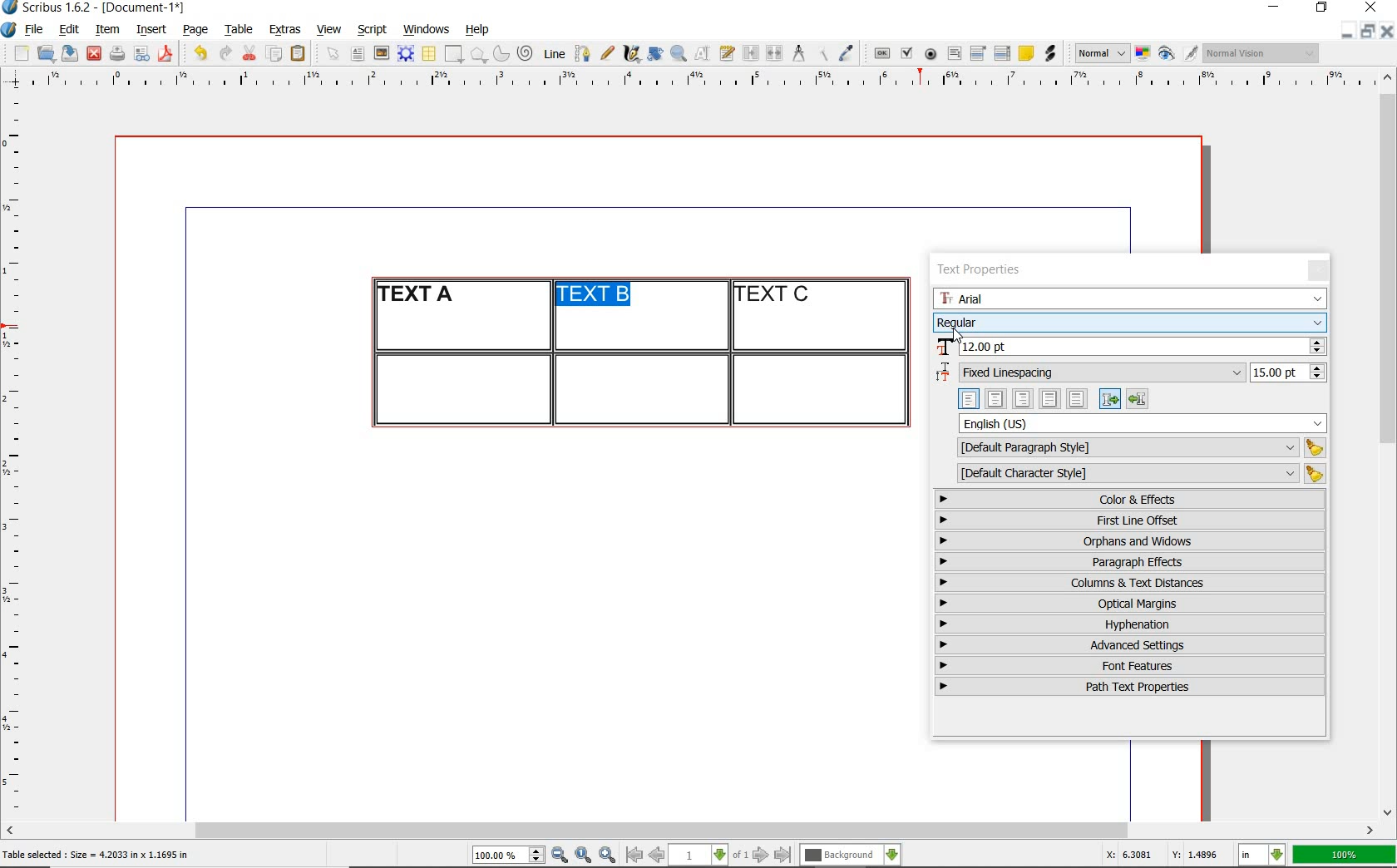 The width and height of the screenshot is (1397, 868). I want to click on edit contents of frame, so click(703, 52).